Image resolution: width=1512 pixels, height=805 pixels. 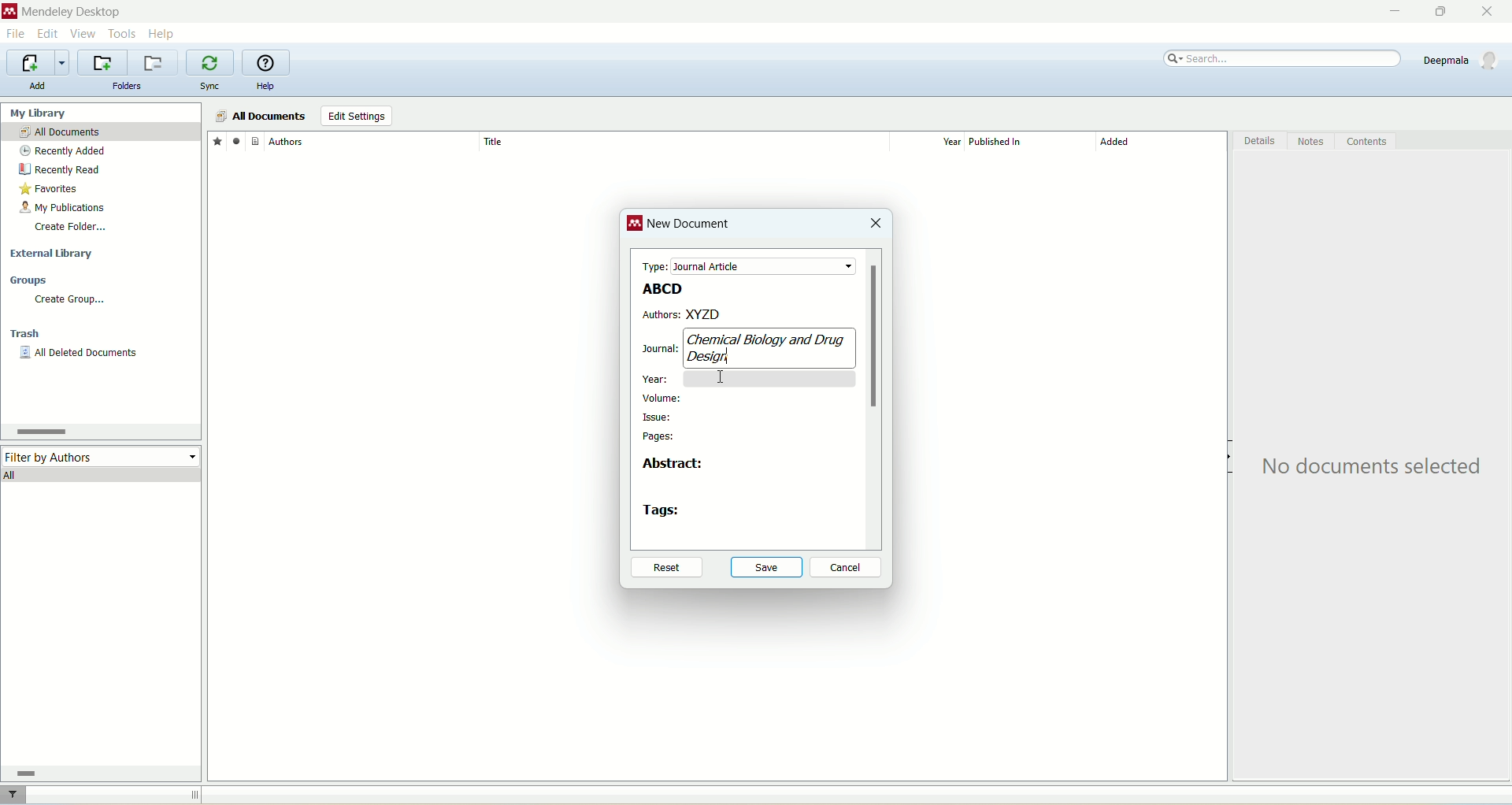 I want to click on logo, so click(x=636, y=225).